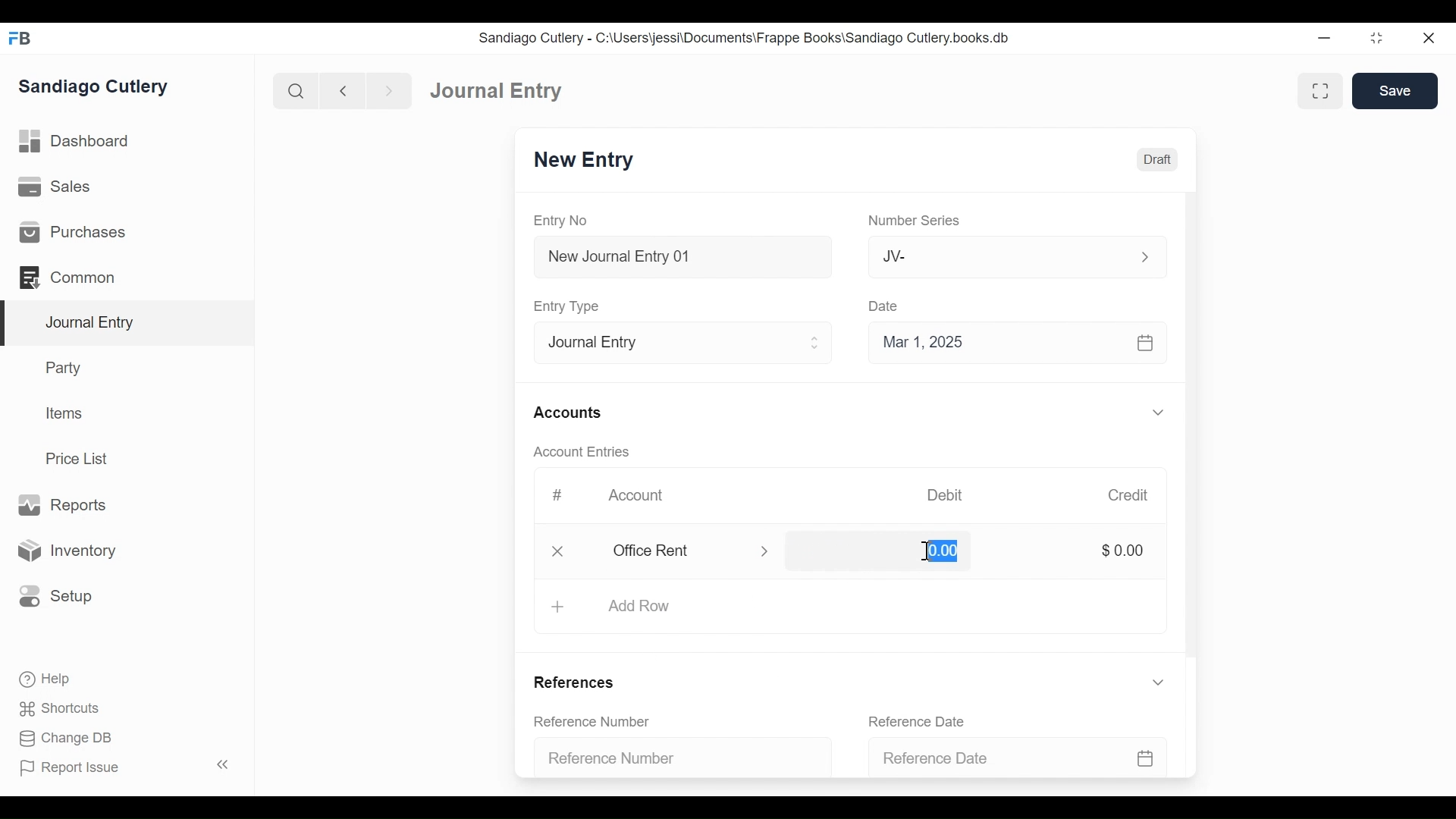  What do you see at coordinates (948, 495) in the screenshot?
I see `Debit` at bounding box center [948, 495].